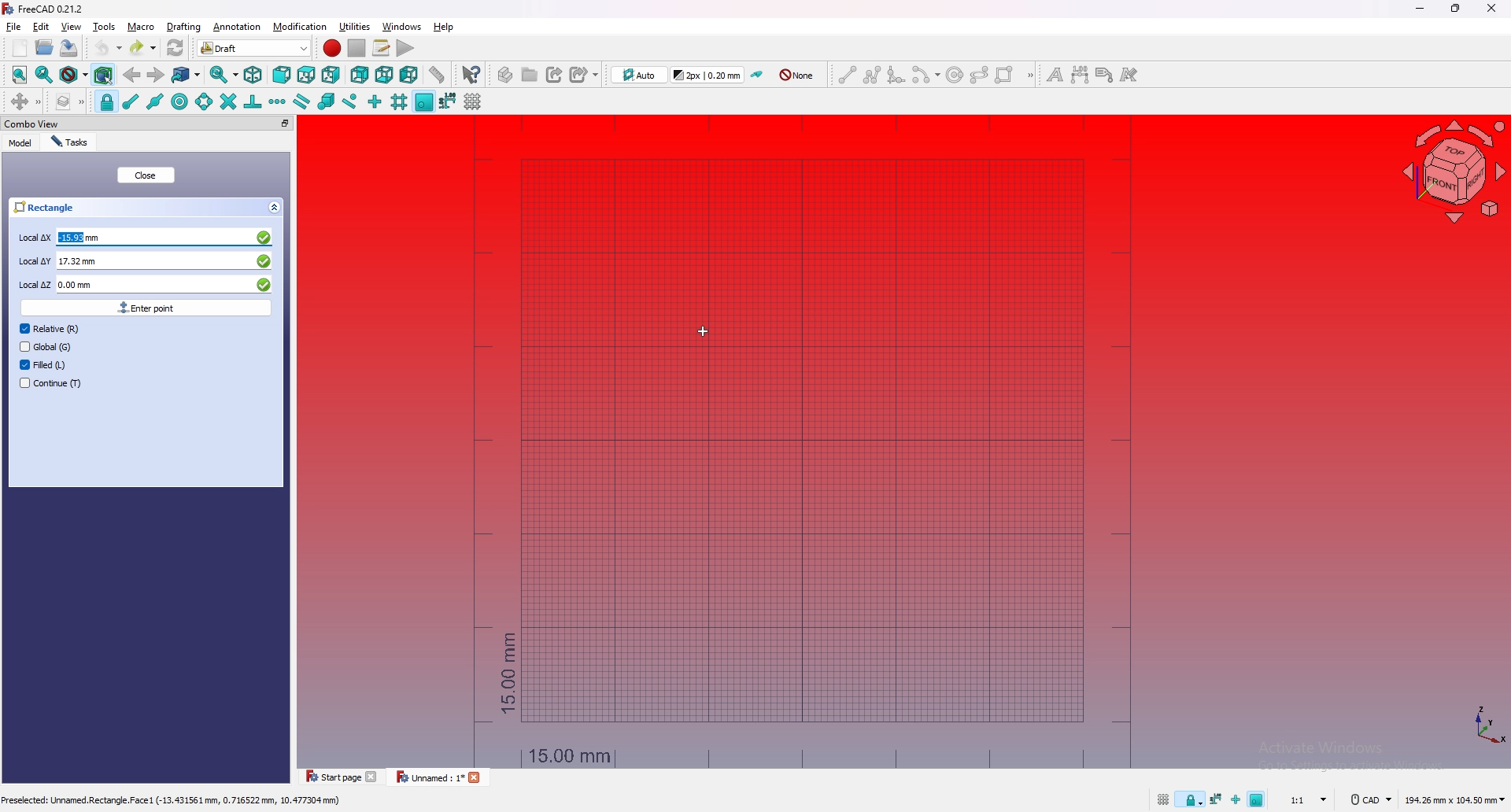 The image size is (1511, 812). Describe the element at coordinates (331, 777) in the screenshot. I see `start page` at that location.